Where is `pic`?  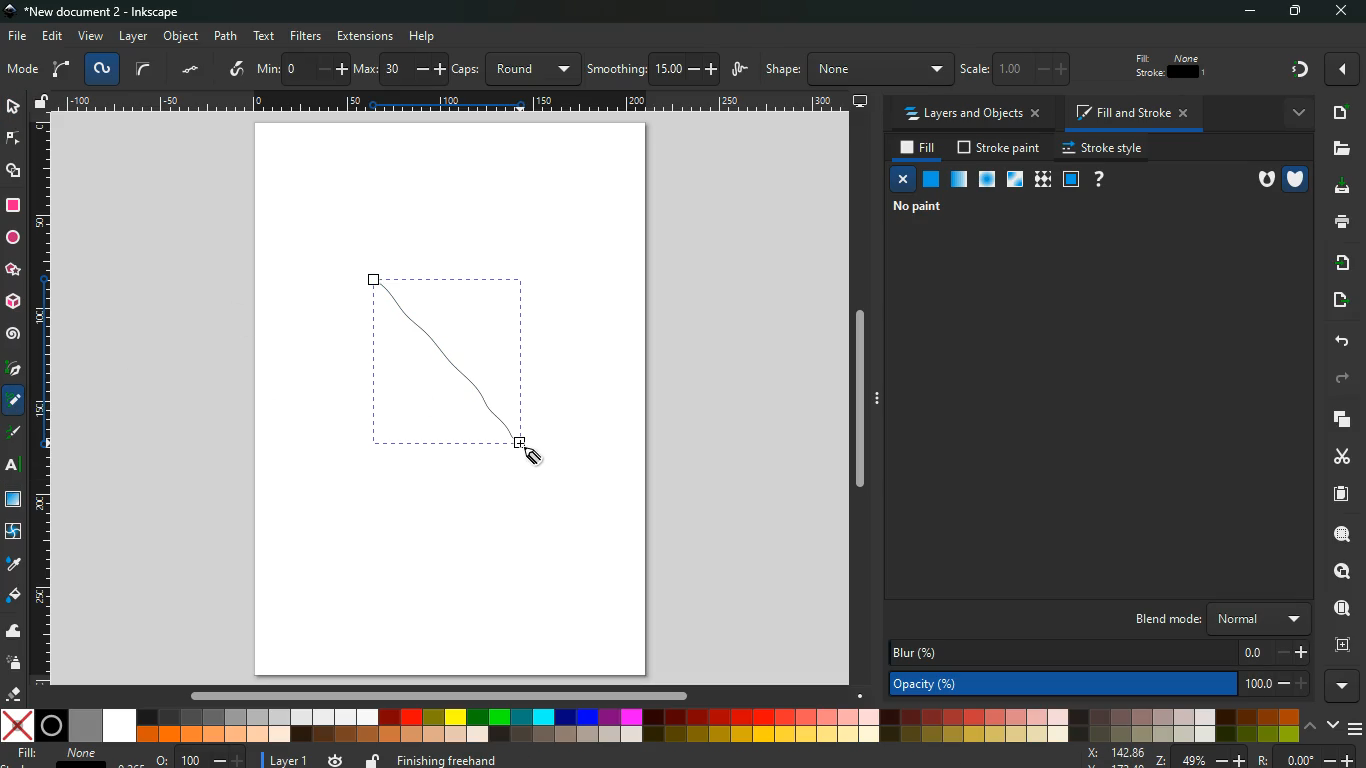 pic is located at coordinates (13, 369).